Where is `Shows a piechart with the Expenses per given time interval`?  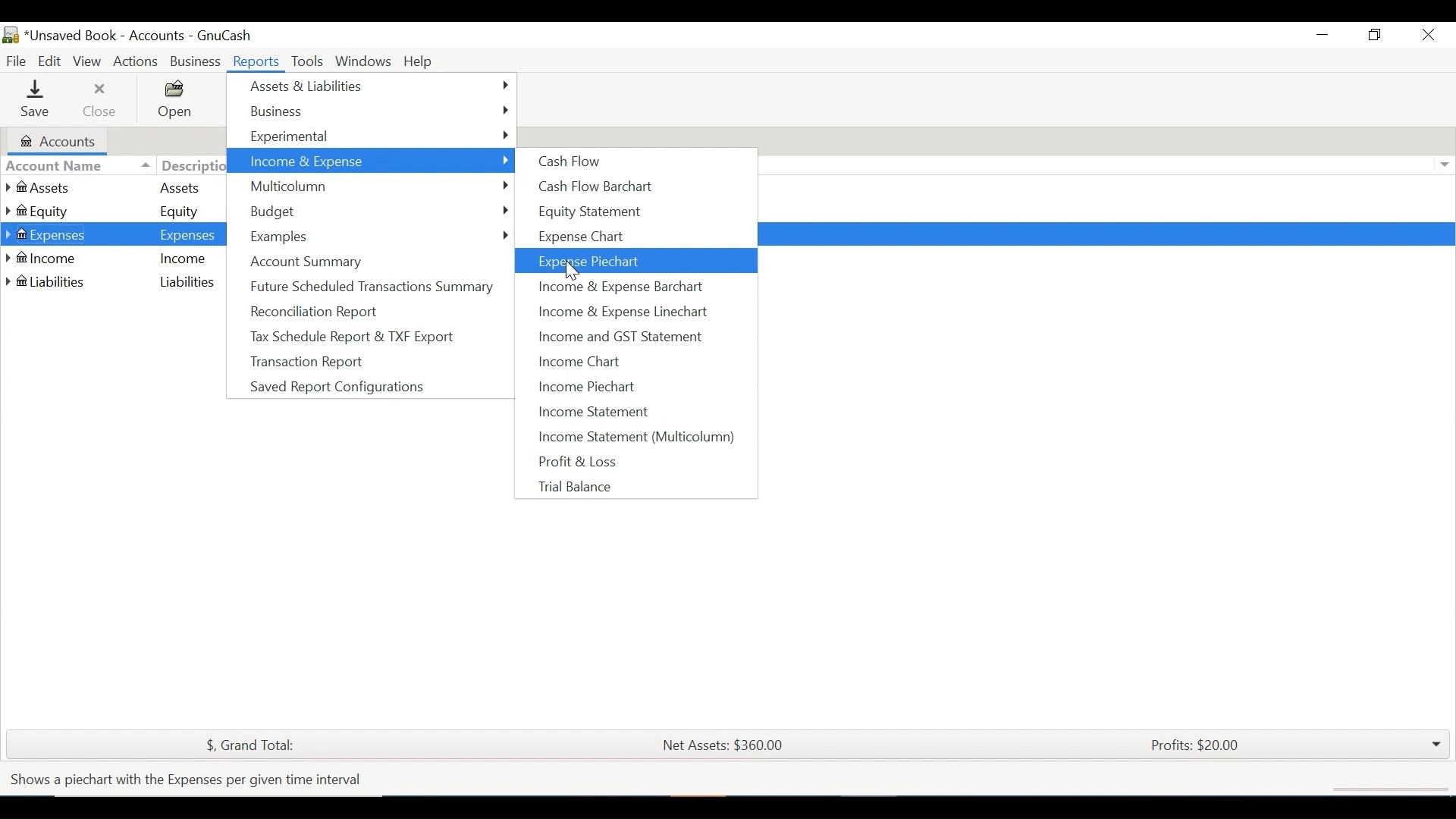
Shows a piechart with the Expenses per given time interval is located at coordinates (196, 782).